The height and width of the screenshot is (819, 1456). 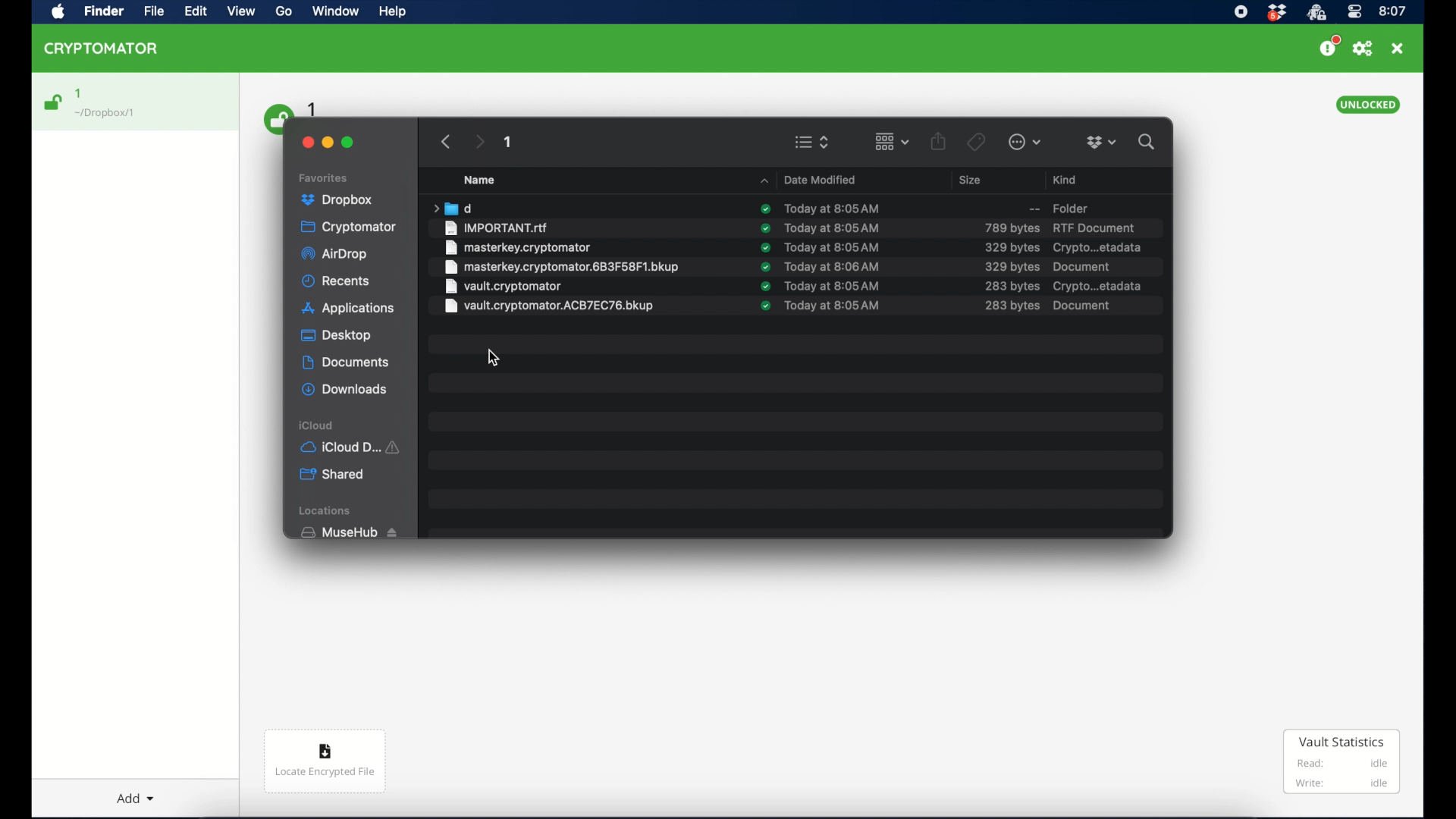 I want to click on downloads, so click(x=344, y=389).